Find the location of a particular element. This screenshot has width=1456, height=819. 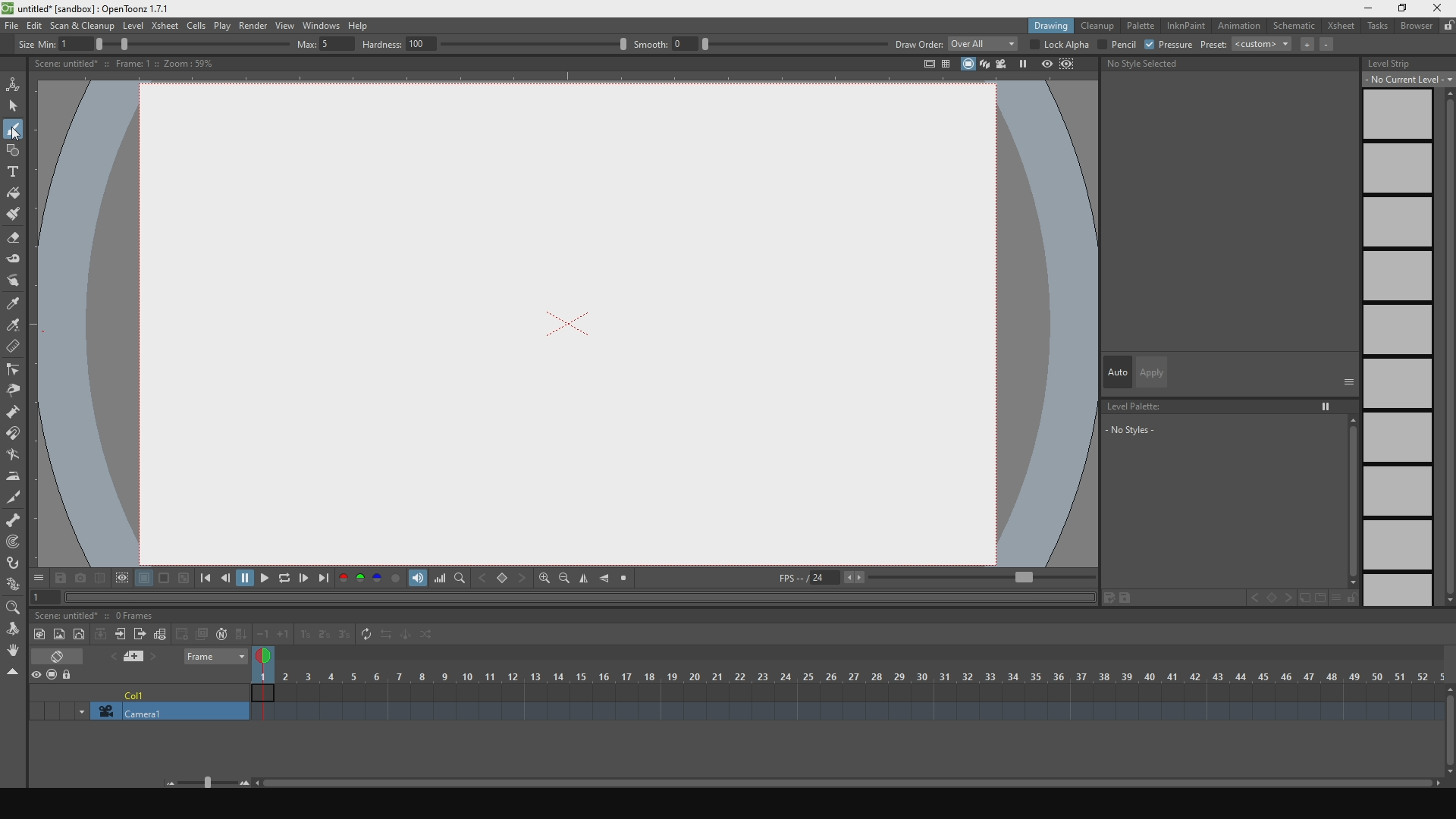

no style selecte is located at coordinates (1159, 65).